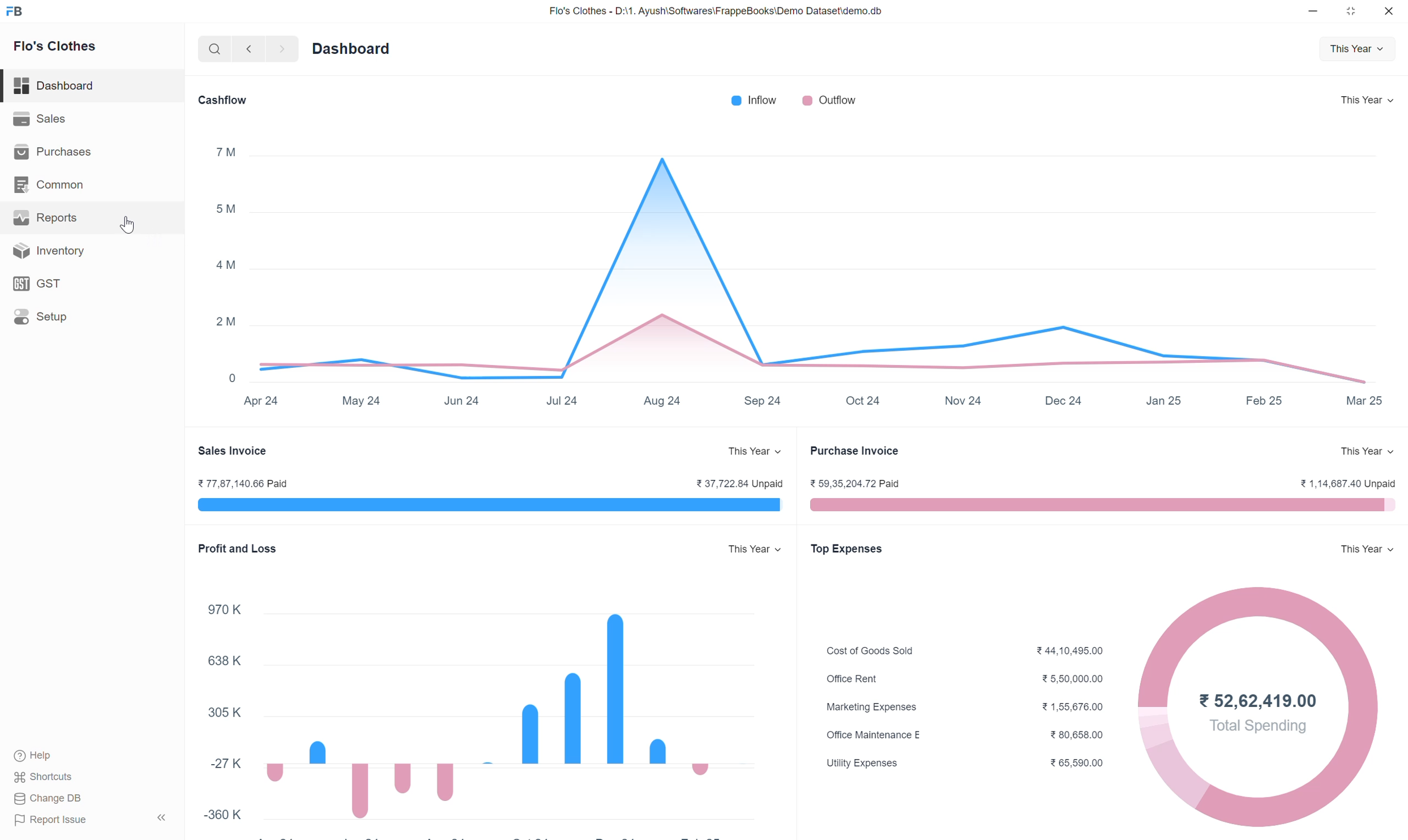  What do you see at coordinates (1077, 708) in the screenshot?
I see `21,56,676.00` at bounding box center [1077, 708].